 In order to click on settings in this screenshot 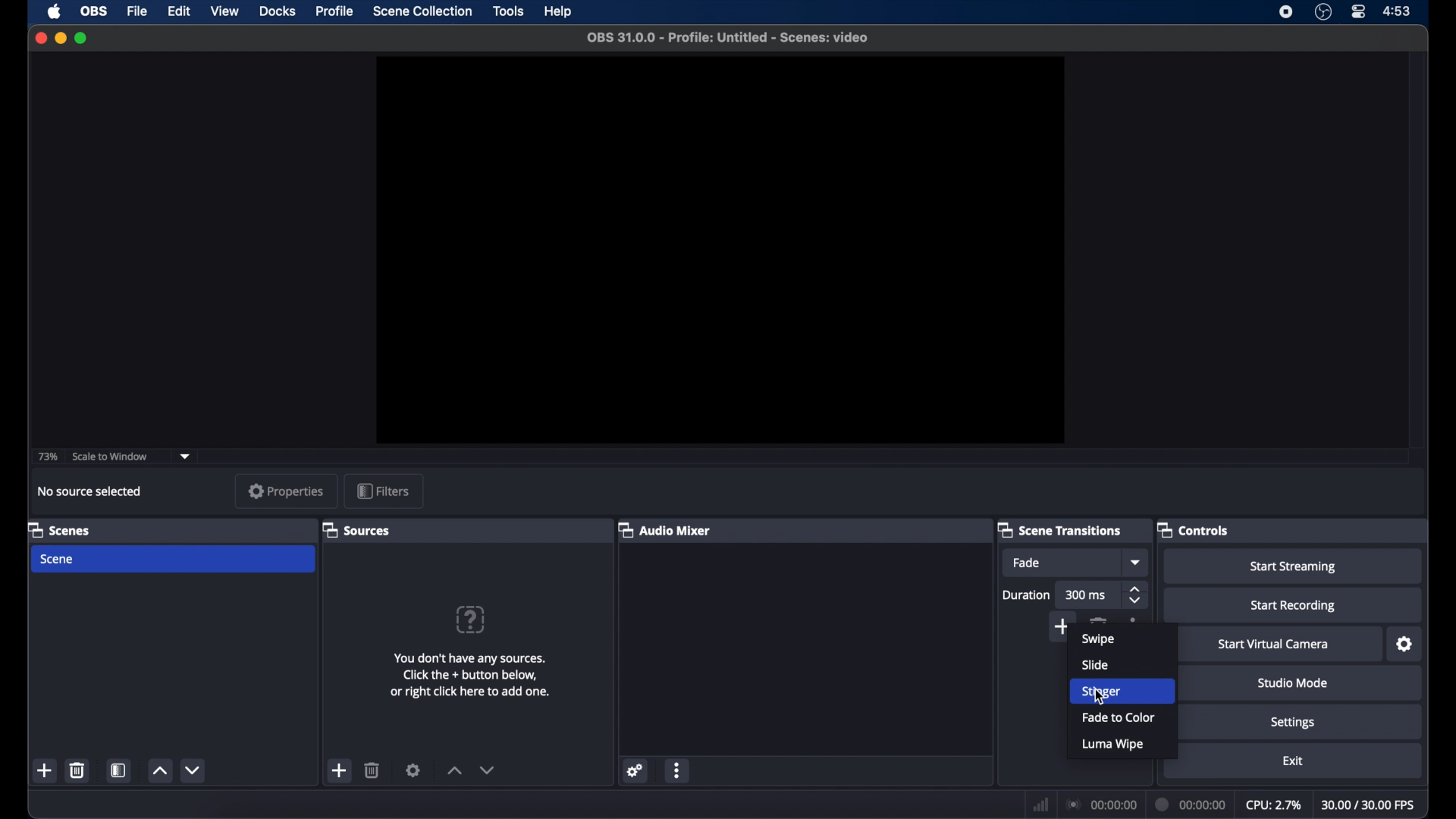, I will do `click(413, 770)`.